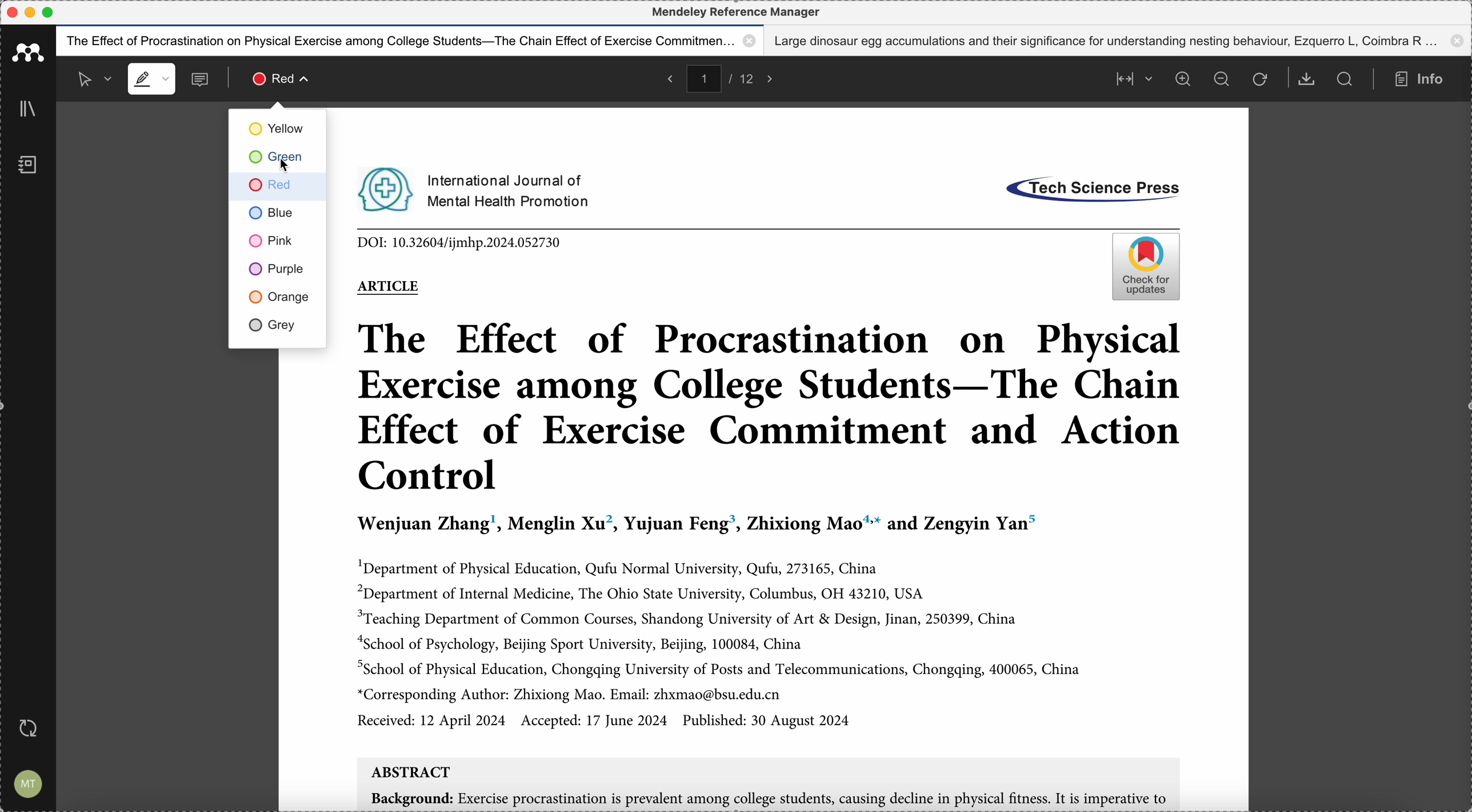 Image resolution: width=1472 pixels, height=812 pixels. I want to click on library, so click(34, 113).